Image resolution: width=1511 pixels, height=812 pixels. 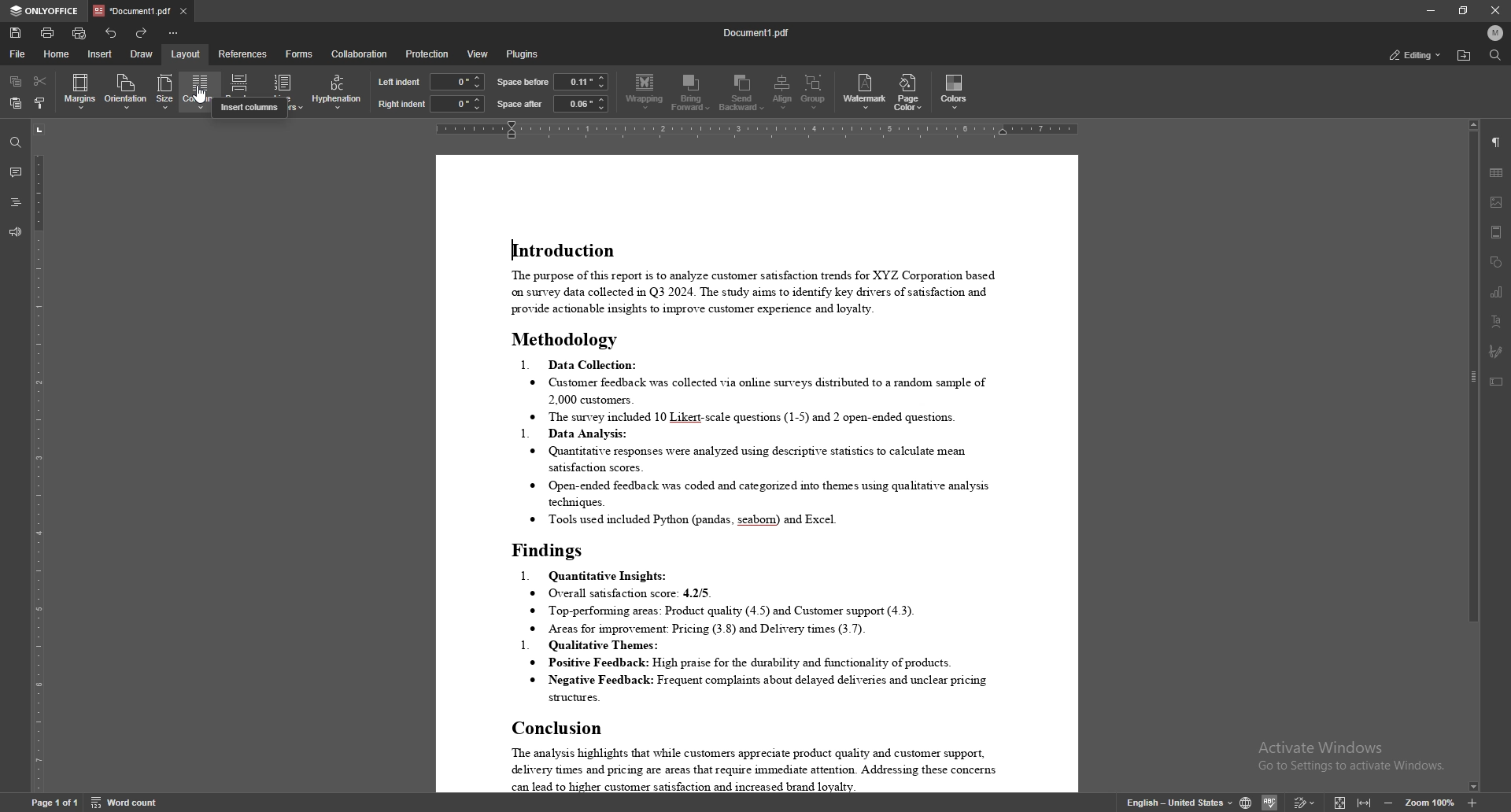 What do you see at coordinates (125, 91) in the screenshot?
I see `orientation` at bounding box center [125, 91].